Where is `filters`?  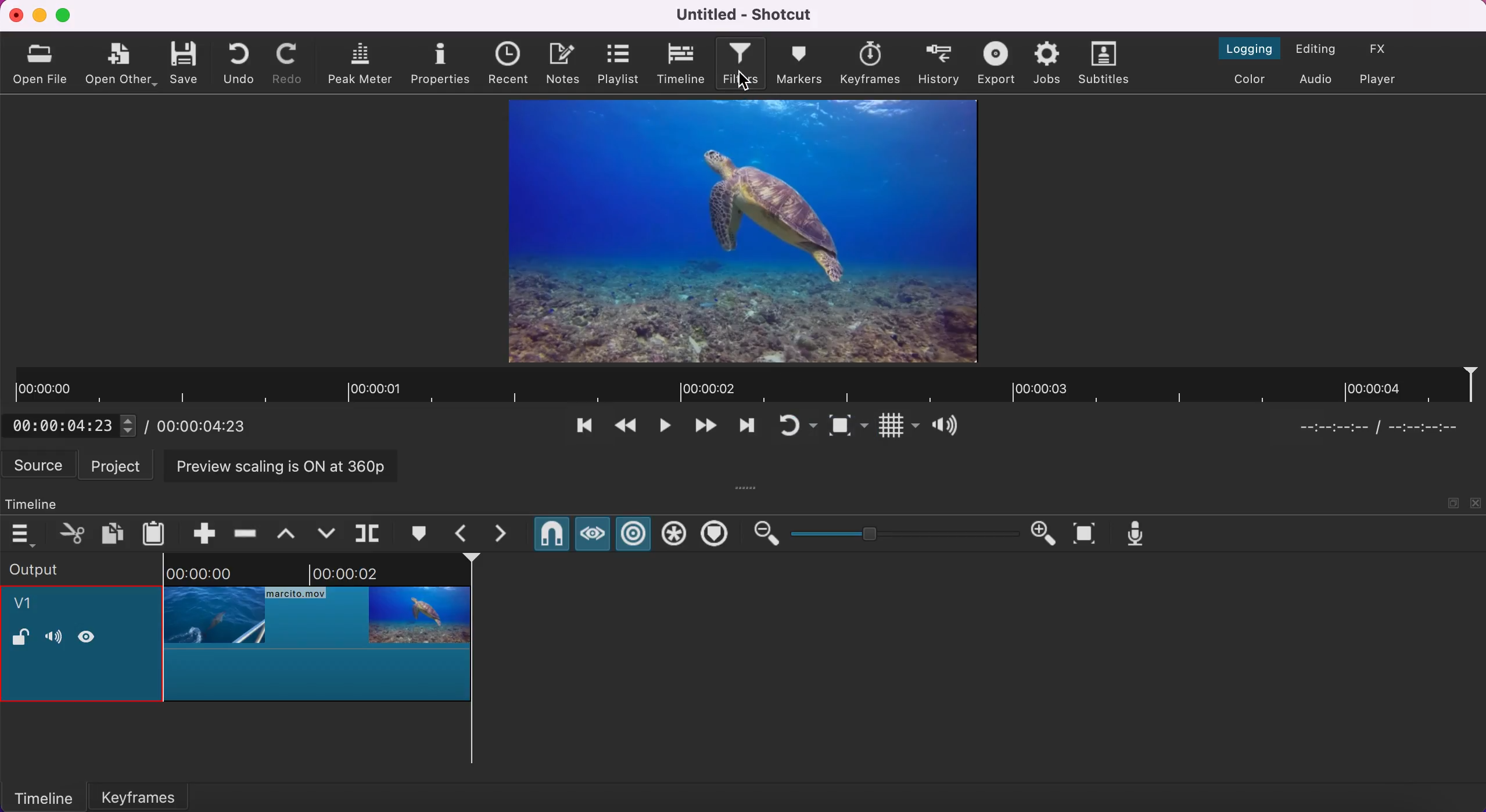 filters is located at coordinates (742, 66).